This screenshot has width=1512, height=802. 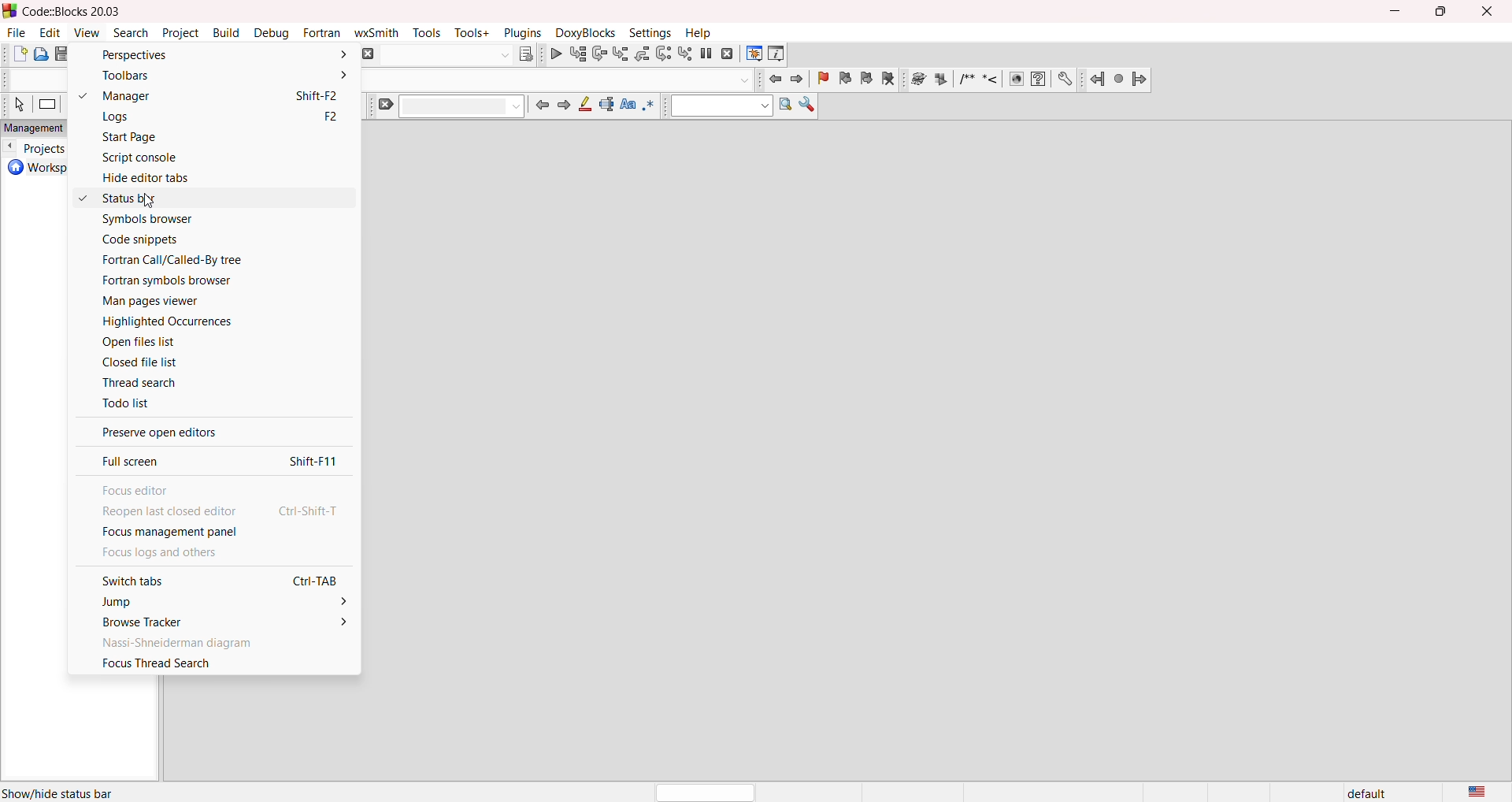 What do you see at coordinates (1397, 9) in the screenshot?
I see `minimize` at bounding box center [1397, 9].